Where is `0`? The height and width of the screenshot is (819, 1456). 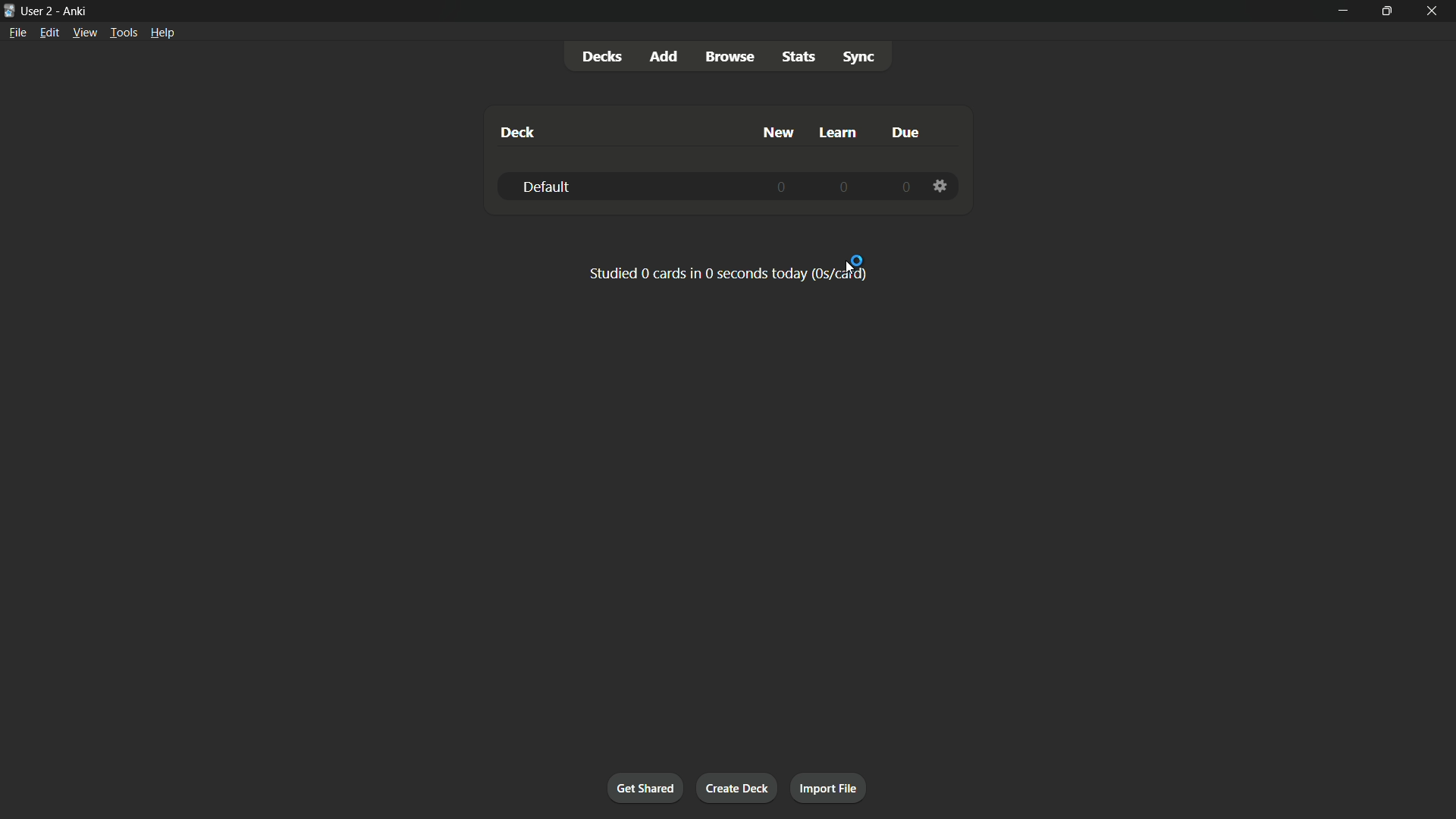
0 is located at coordinates (902, 185).